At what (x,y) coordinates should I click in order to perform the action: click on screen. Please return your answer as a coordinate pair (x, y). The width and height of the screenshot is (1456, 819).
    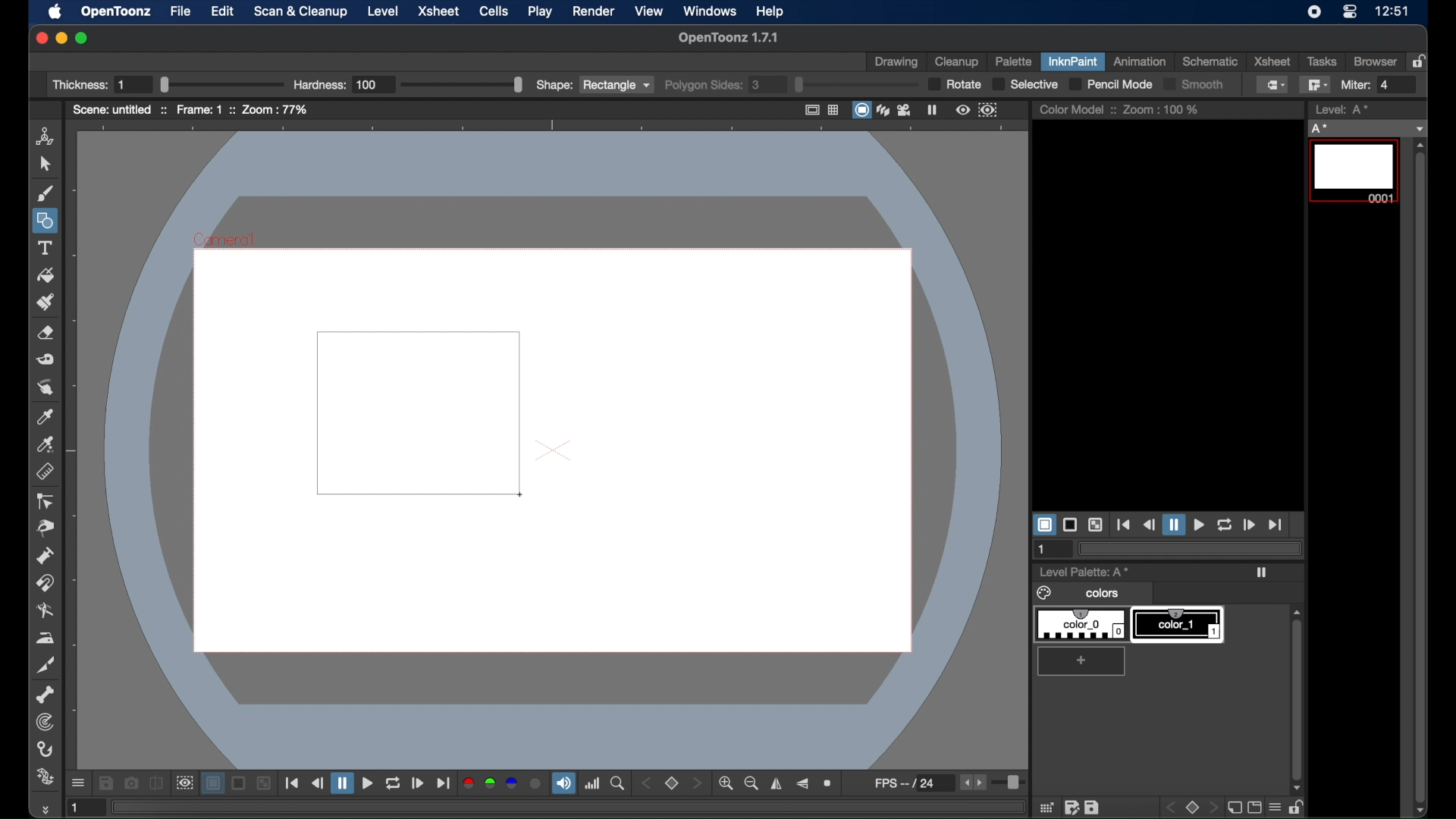
    Looking at the image, I should click on (1254, 807).